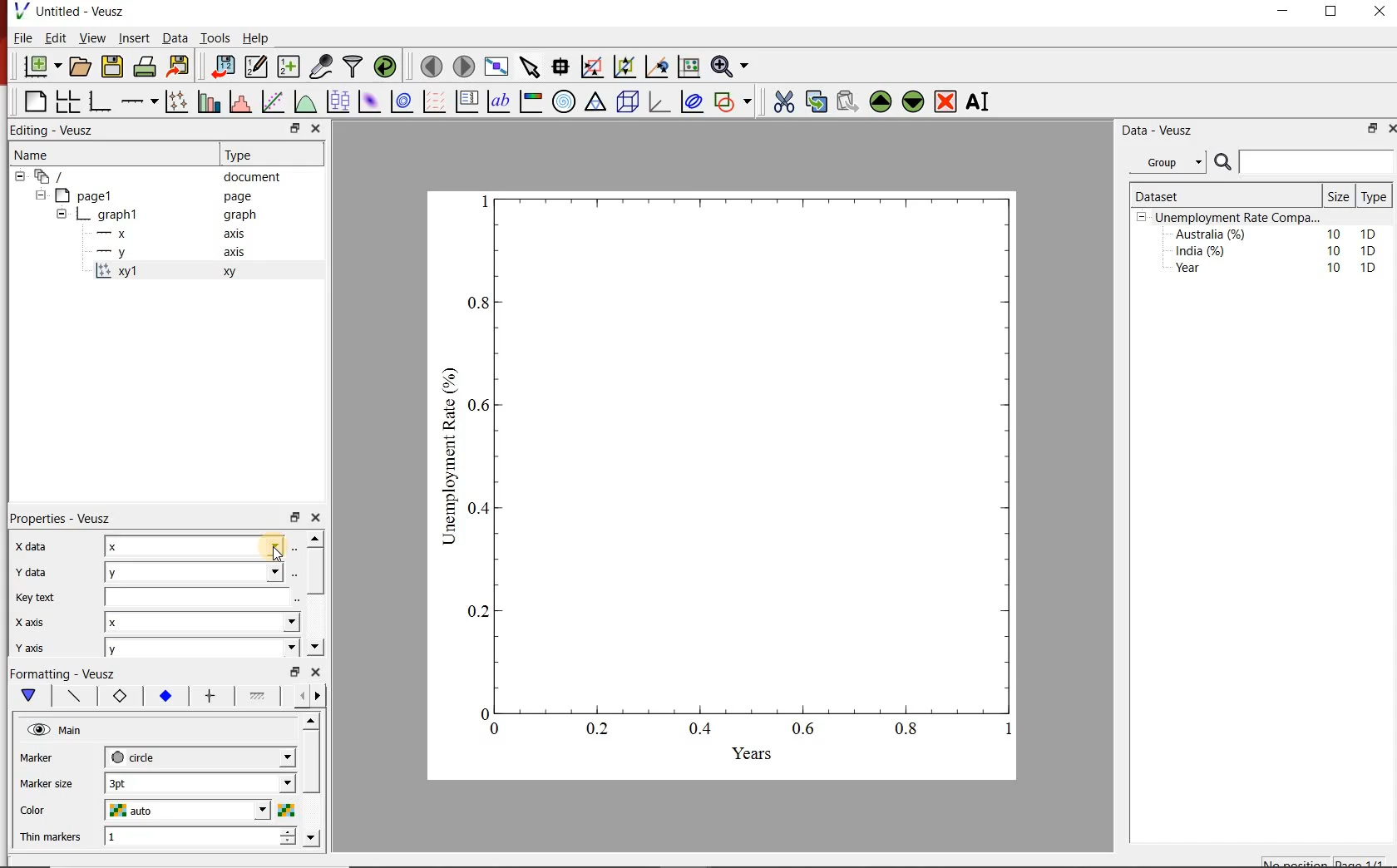  Describe the element at coordinates (311, 838) in the screenshot. I see `move down` at that location.